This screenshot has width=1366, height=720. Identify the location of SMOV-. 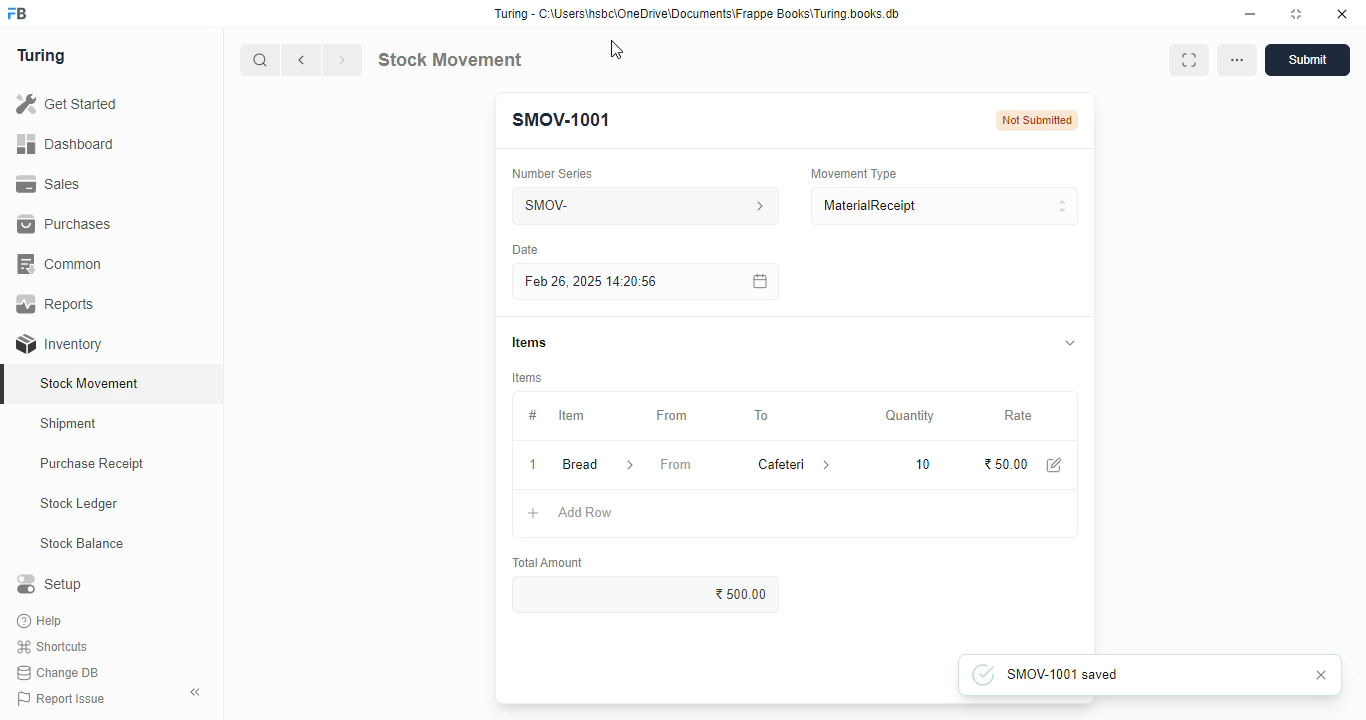
(647, 205).